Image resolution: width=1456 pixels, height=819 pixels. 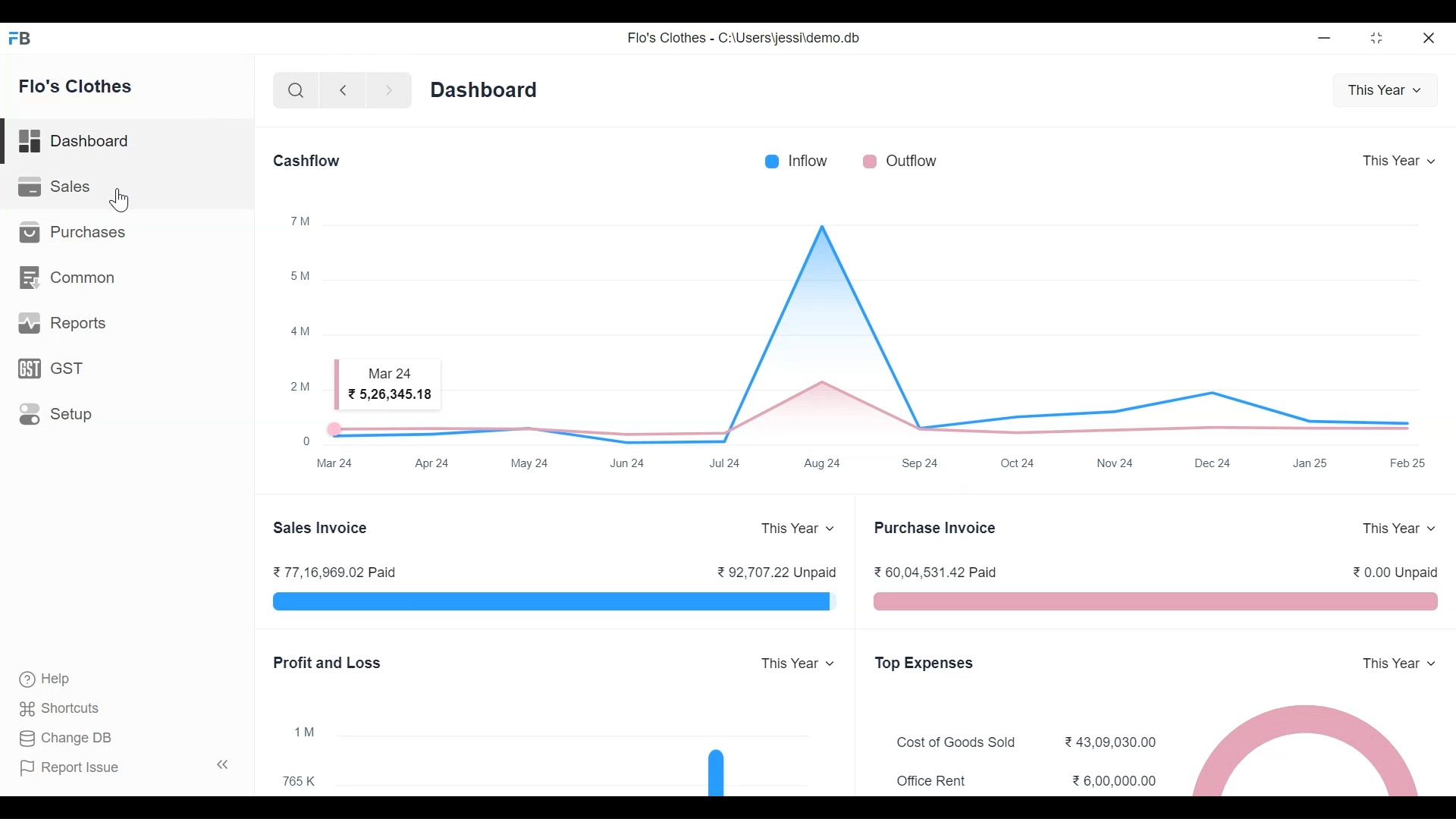 I want to click on 92,707.22 (Rupee) Unpaid, so click(x=776, y=572).